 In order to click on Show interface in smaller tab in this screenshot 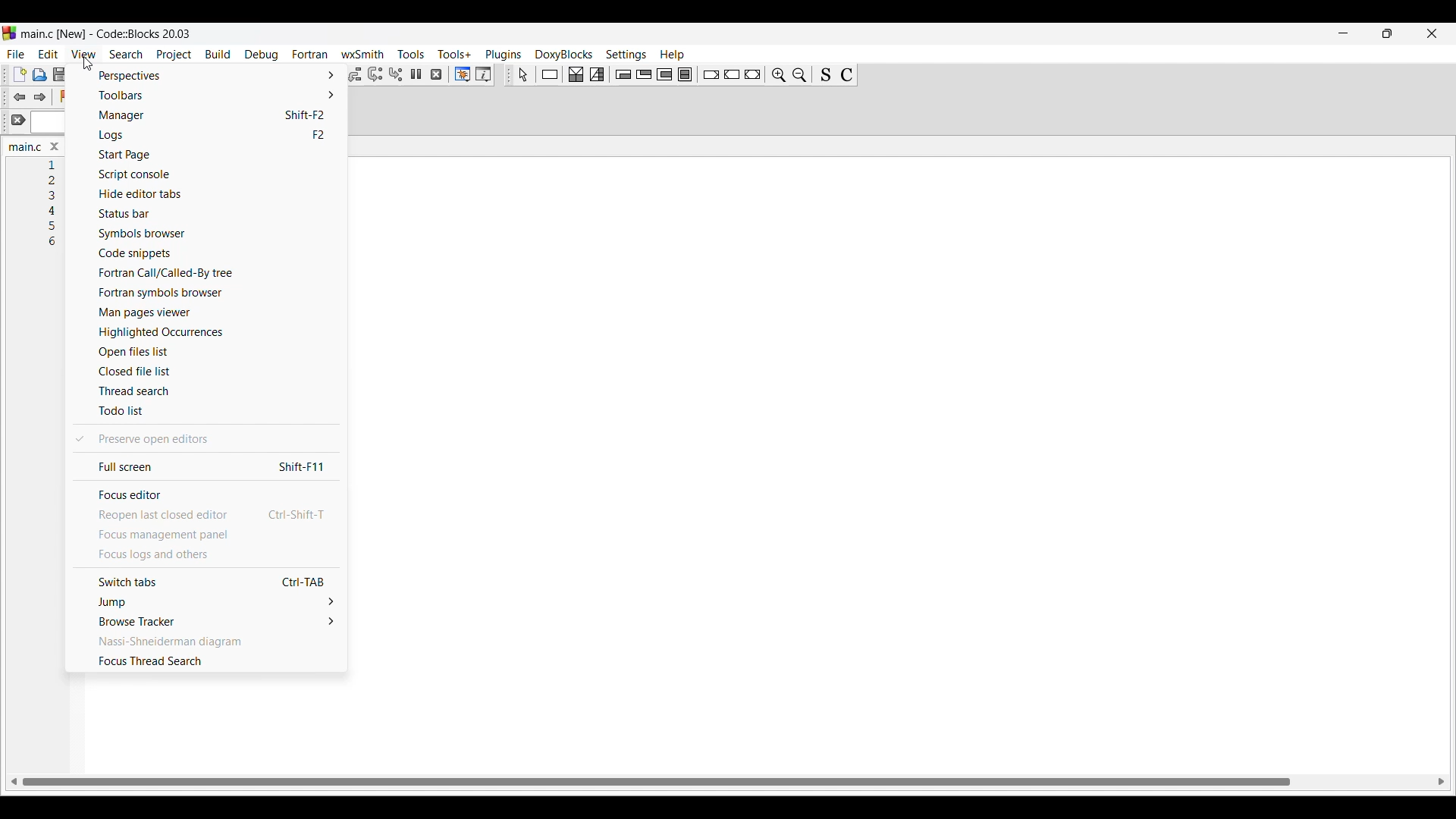, I will do `click(1387, 33)`.